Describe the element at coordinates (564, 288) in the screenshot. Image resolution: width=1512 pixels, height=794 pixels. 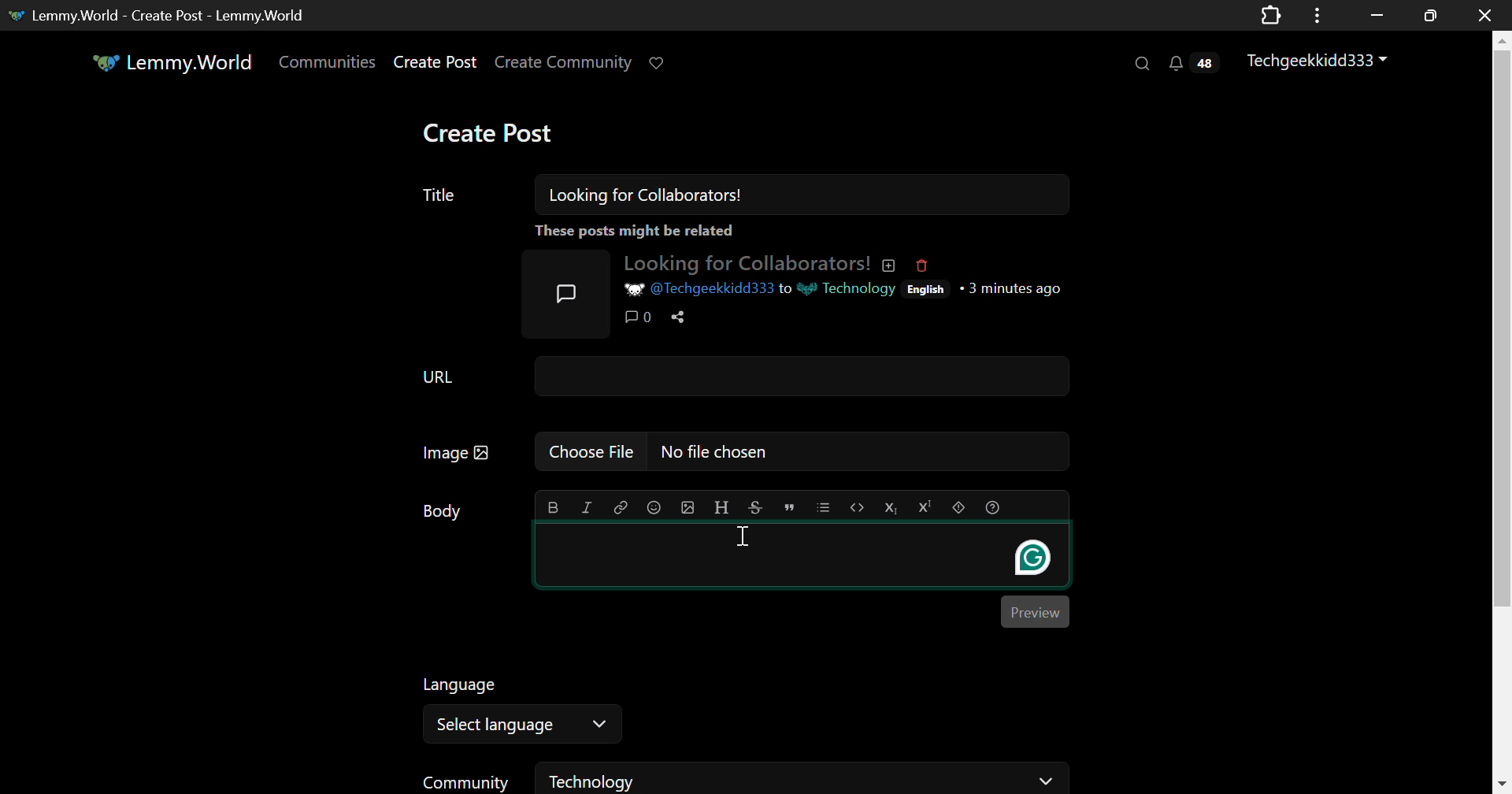
I see `Post Icon` at that location.